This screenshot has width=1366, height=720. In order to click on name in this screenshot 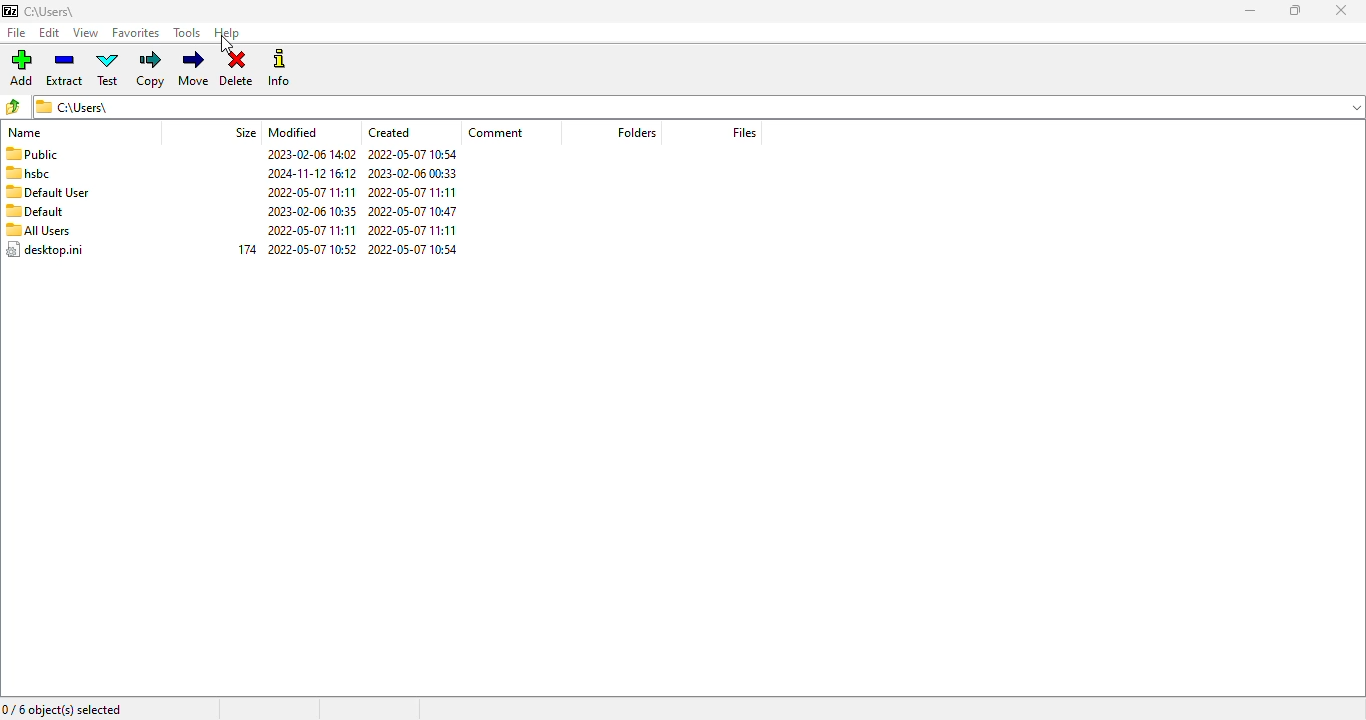, I will do `click(25, 133)`.